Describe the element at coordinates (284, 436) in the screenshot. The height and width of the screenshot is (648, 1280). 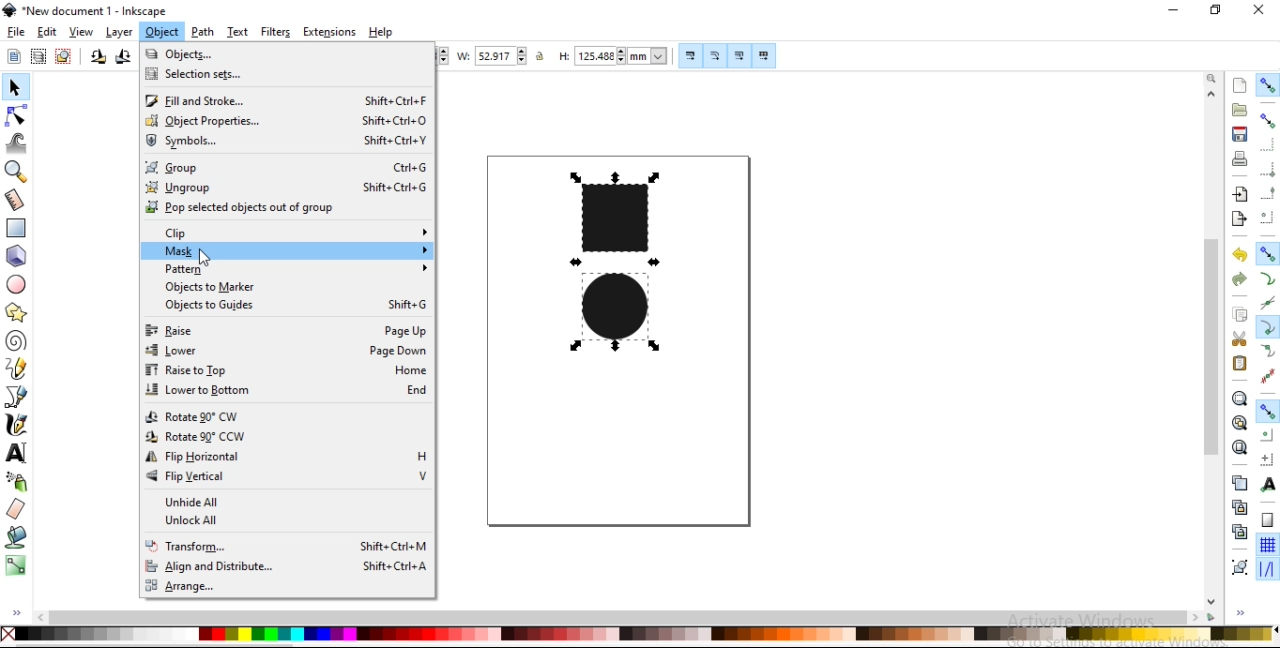
I see `rotate 90 CCW` at that location.